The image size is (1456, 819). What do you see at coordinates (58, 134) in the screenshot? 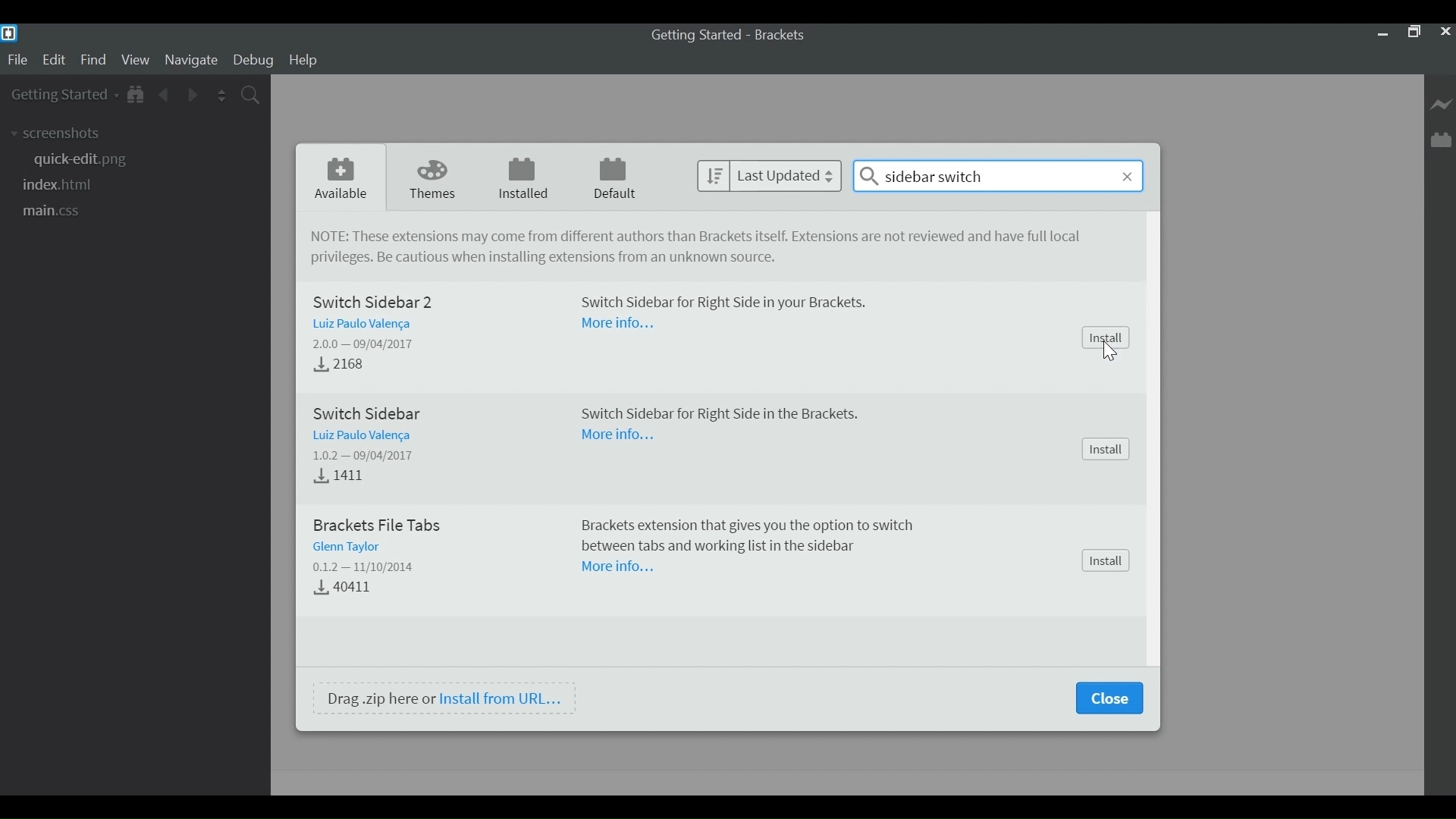
I see `screenshots` at bounding box center [58, 134].